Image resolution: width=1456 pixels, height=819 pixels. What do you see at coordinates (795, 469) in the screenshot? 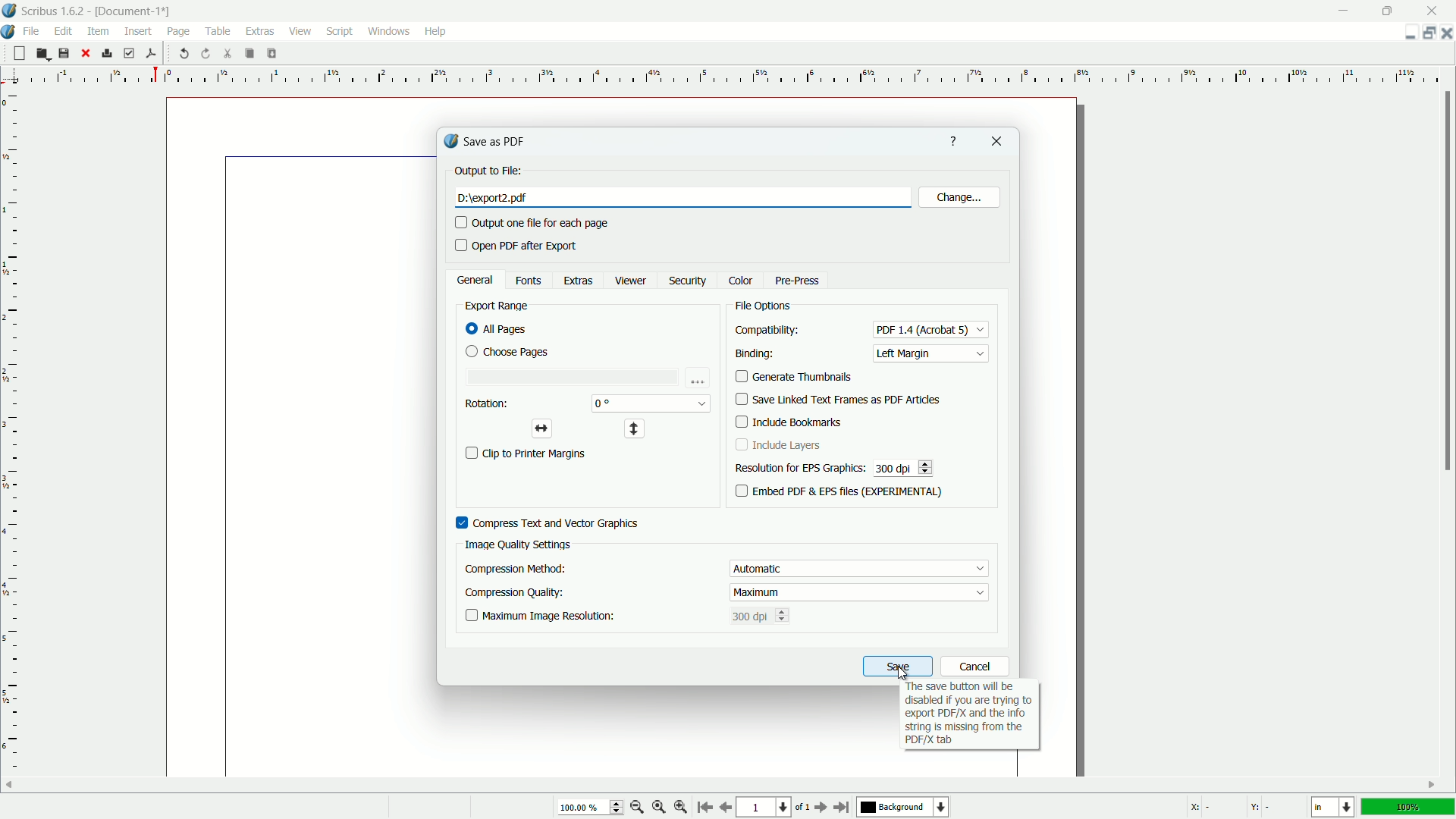
I see `resolution for eps graphics` at bounding box center [795, 469].